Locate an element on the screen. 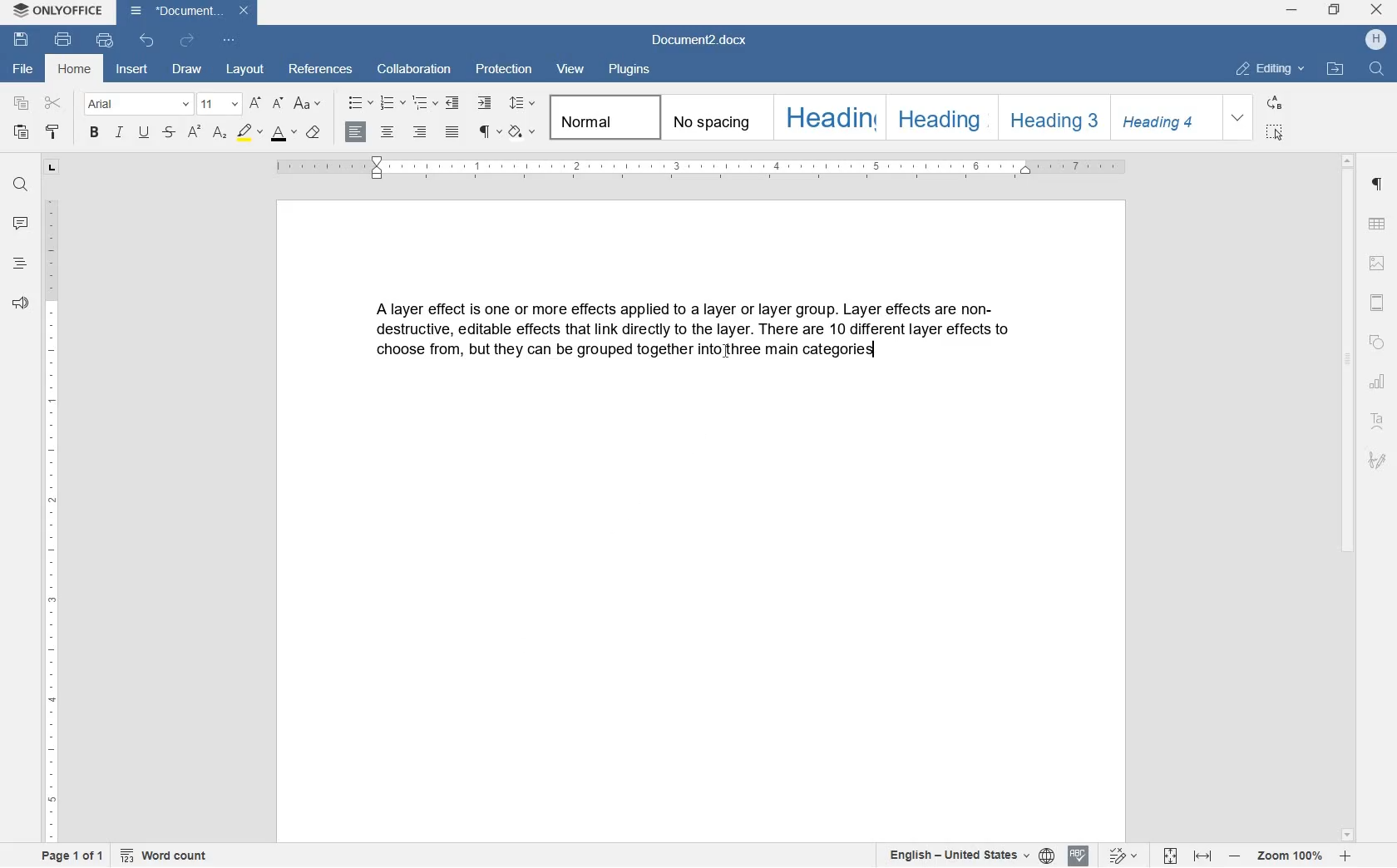 The width and height of the screenshot is (1397, 868). minimize is located at coordinates (1292, 11).